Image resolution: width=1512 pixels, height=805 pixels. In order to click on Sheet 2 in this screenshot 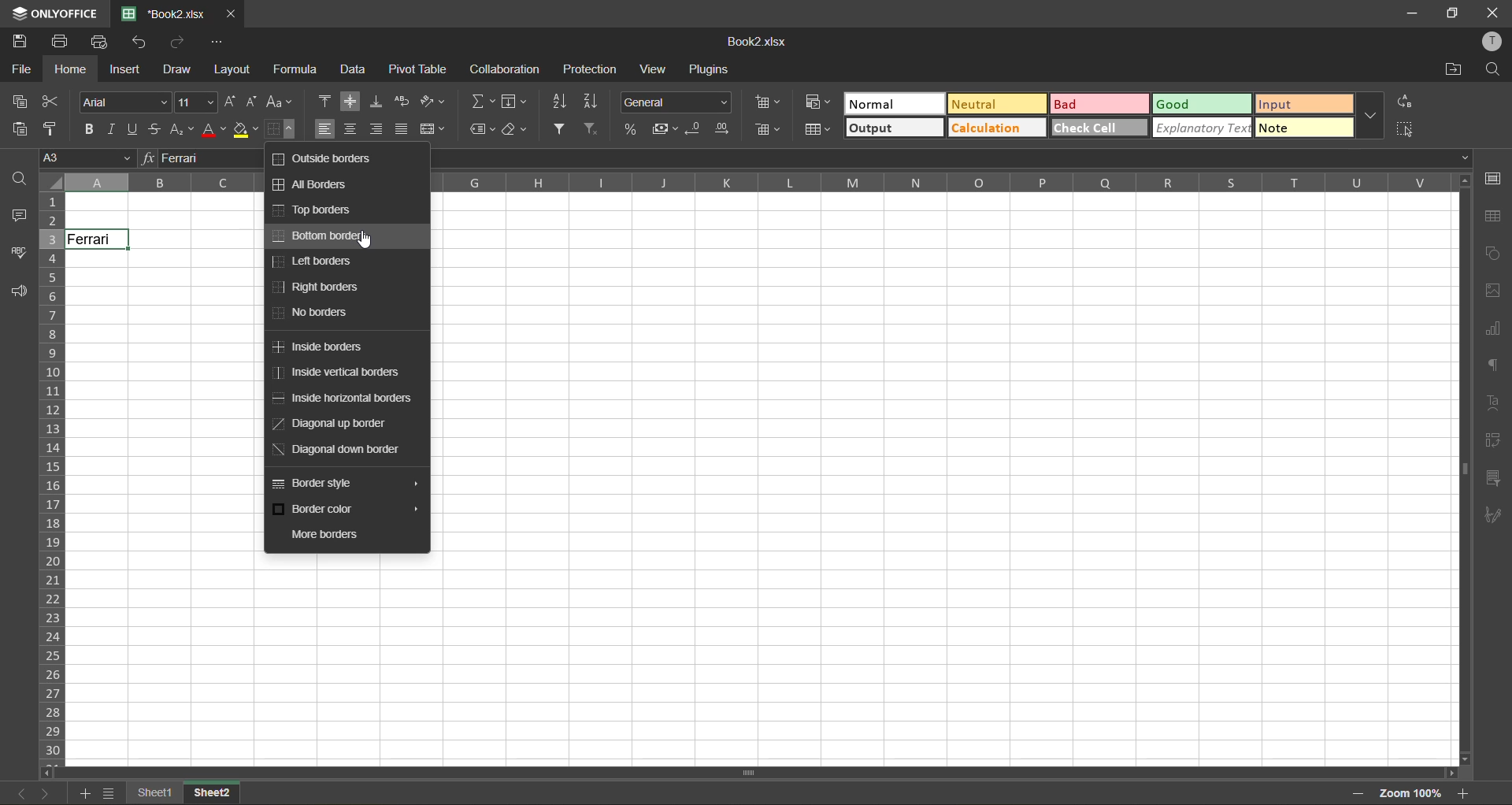, I will do `click(221, 794)`.